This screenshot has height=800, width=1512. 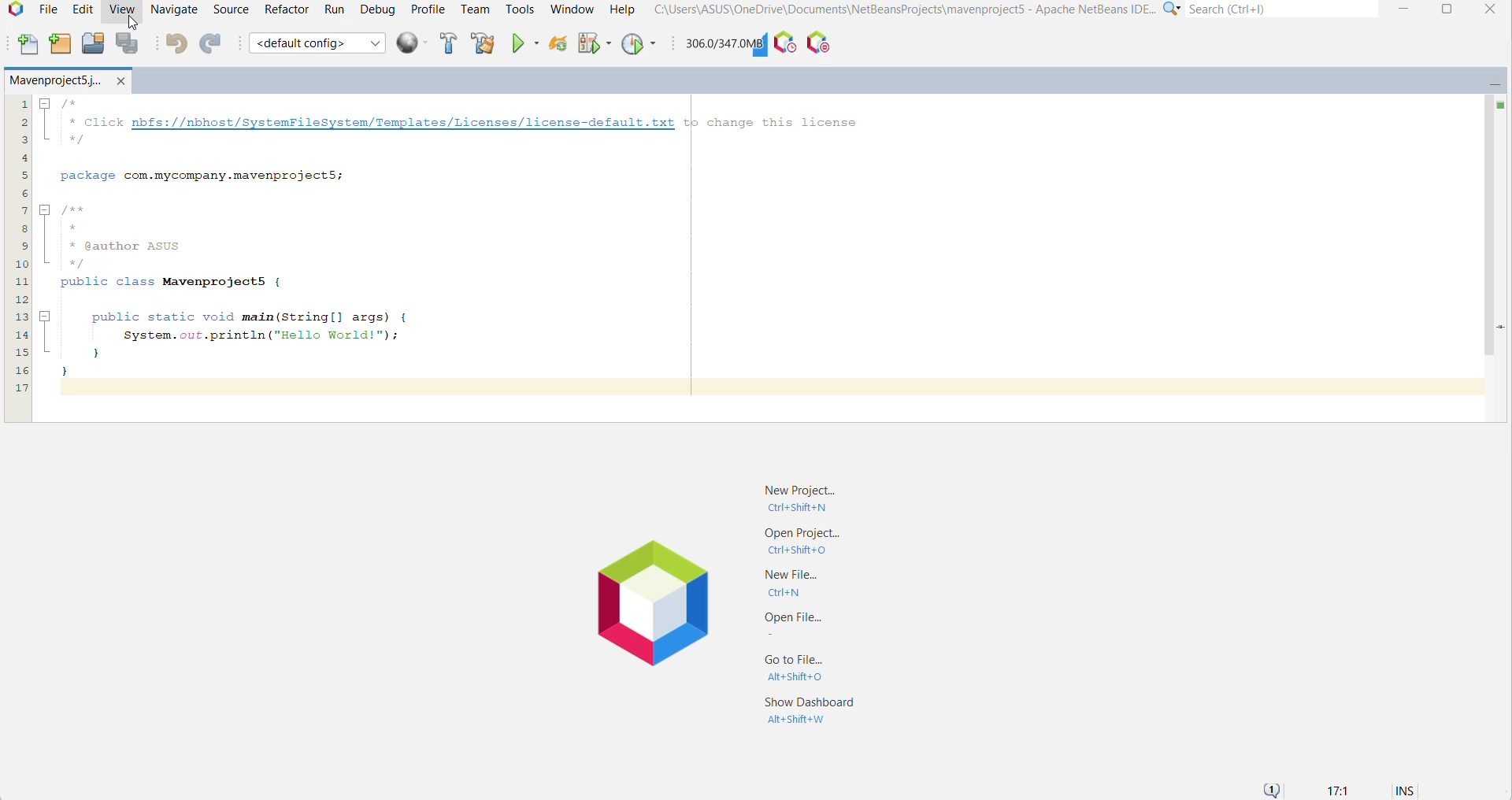 What do you see at coordinates (810, 710) in the screenshot?
I see `Show Dashboard` at bounding box center [810, 710].